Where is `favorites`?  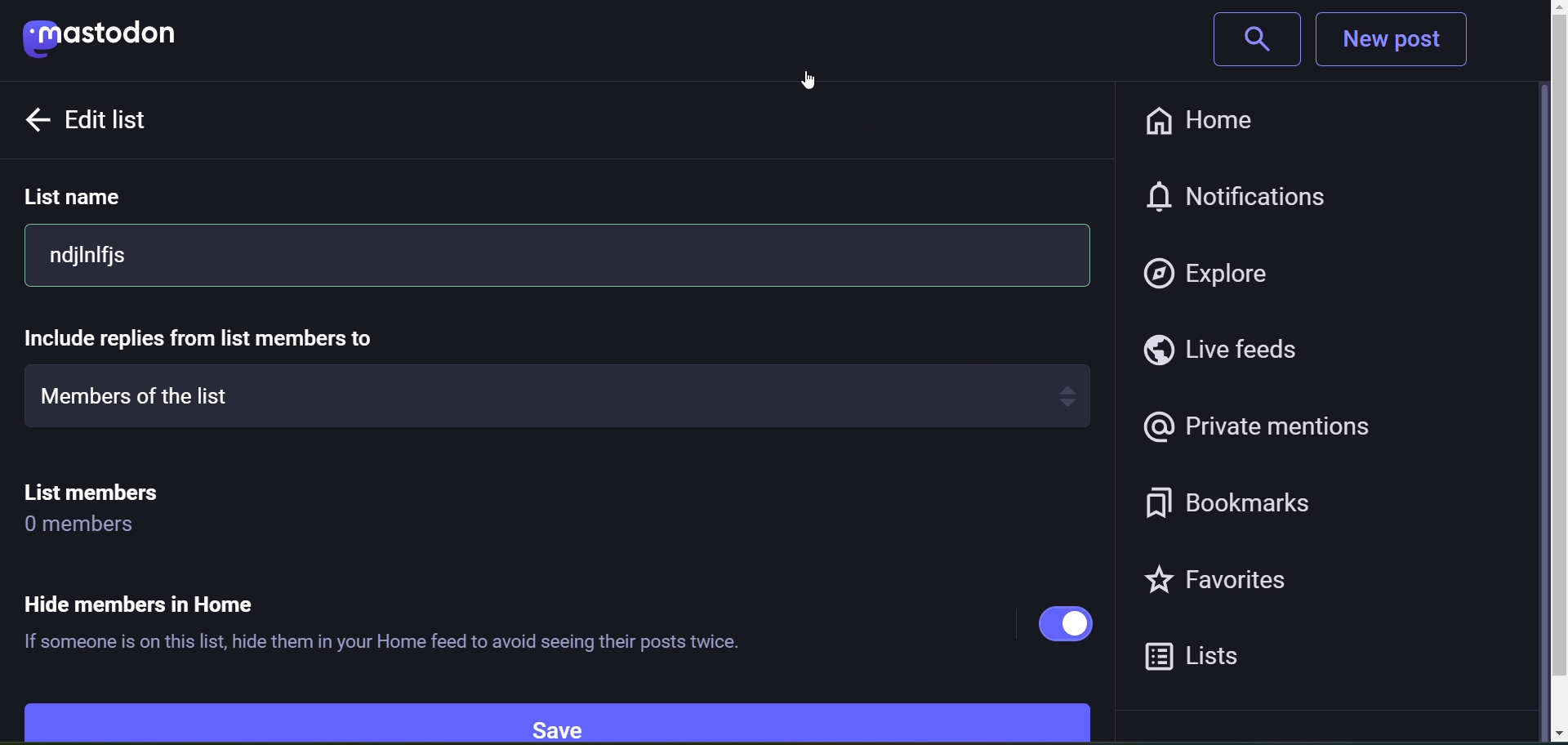
favorites is located at coordinates (1240, 586).